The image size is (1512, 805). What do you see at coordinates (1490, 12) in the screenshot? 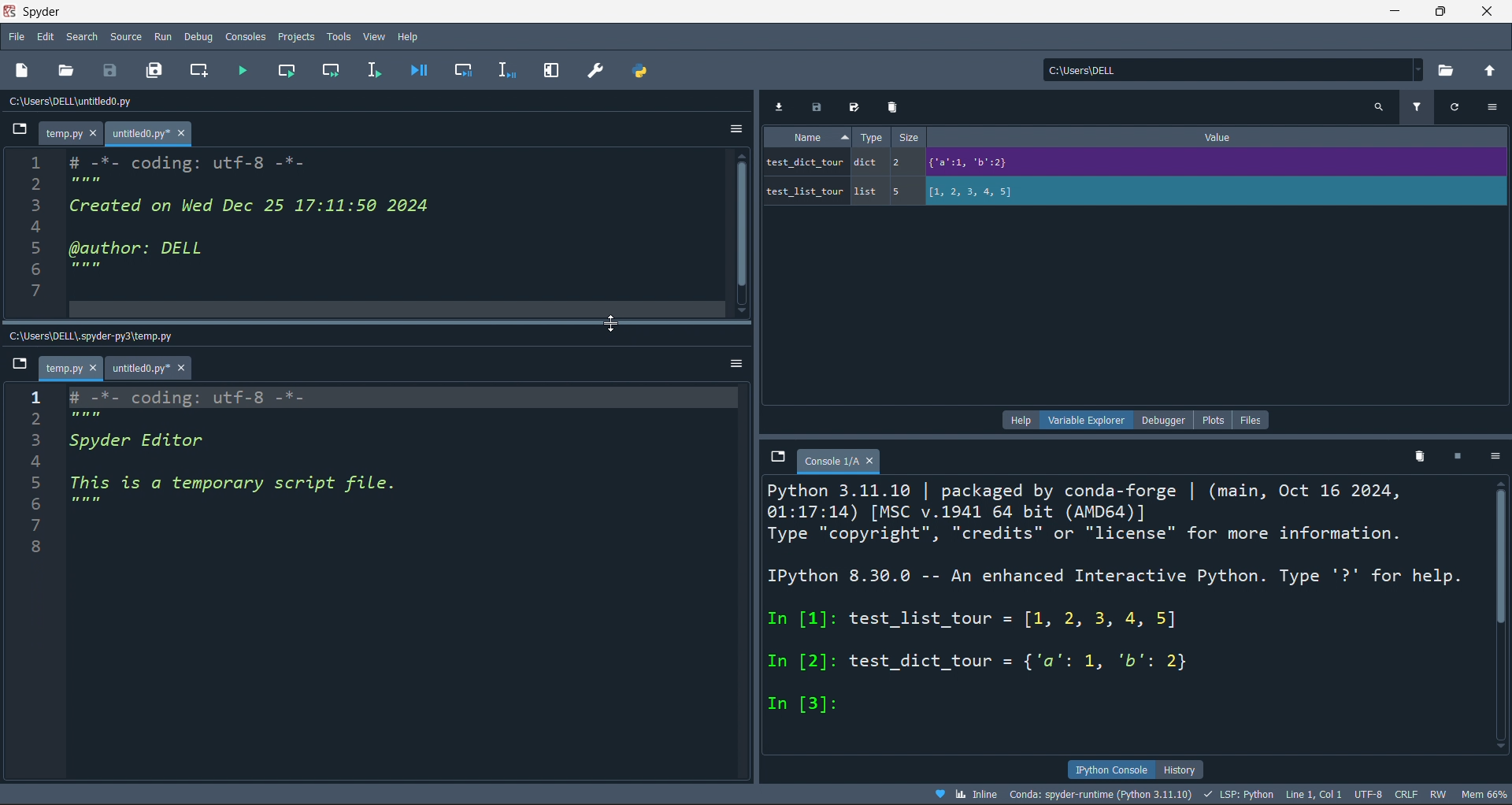
I see `close` at bounding box center [1490, 12].